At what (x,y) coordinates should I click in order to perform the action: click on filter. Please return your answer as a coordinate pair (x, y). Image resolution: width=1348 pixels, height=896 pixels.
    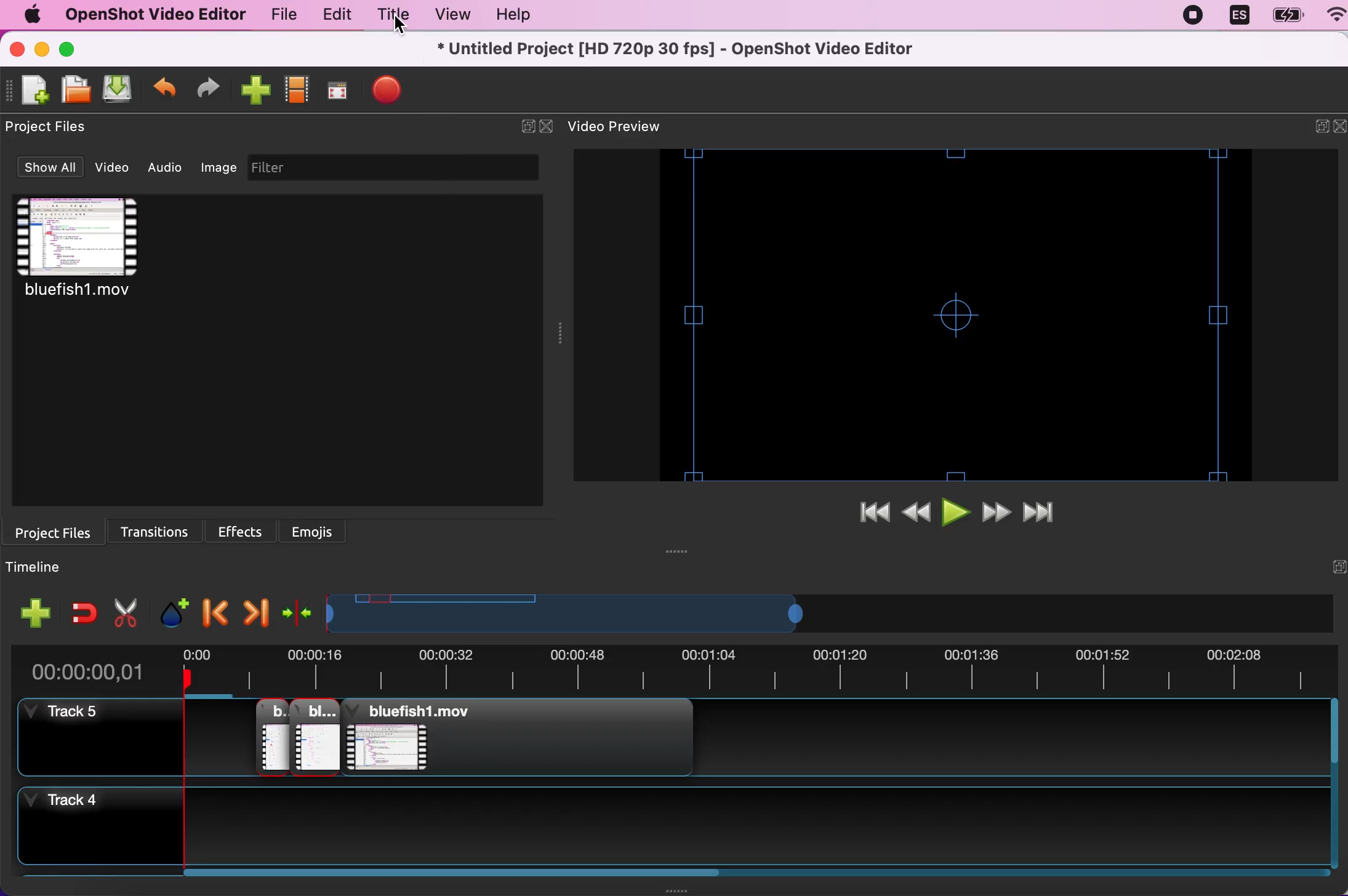
    Looking at the image, I should click on (406, 167).